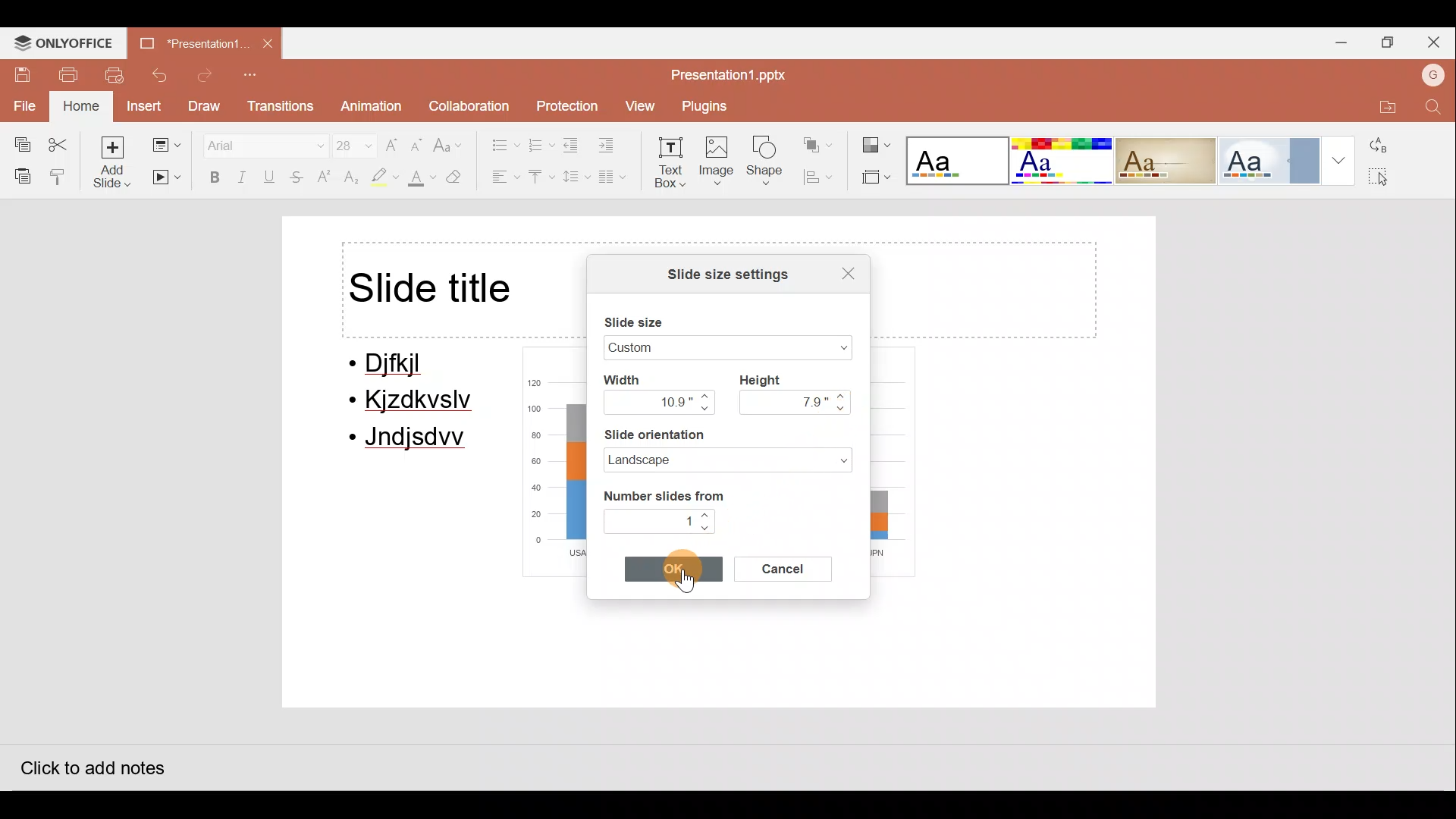 Image resolution: width=1456 pixels, height=819 pixels. What do you see at coordinates (1382, 104) in the screenshot?
I see `Open file location` at bounding box center [1382, 104].